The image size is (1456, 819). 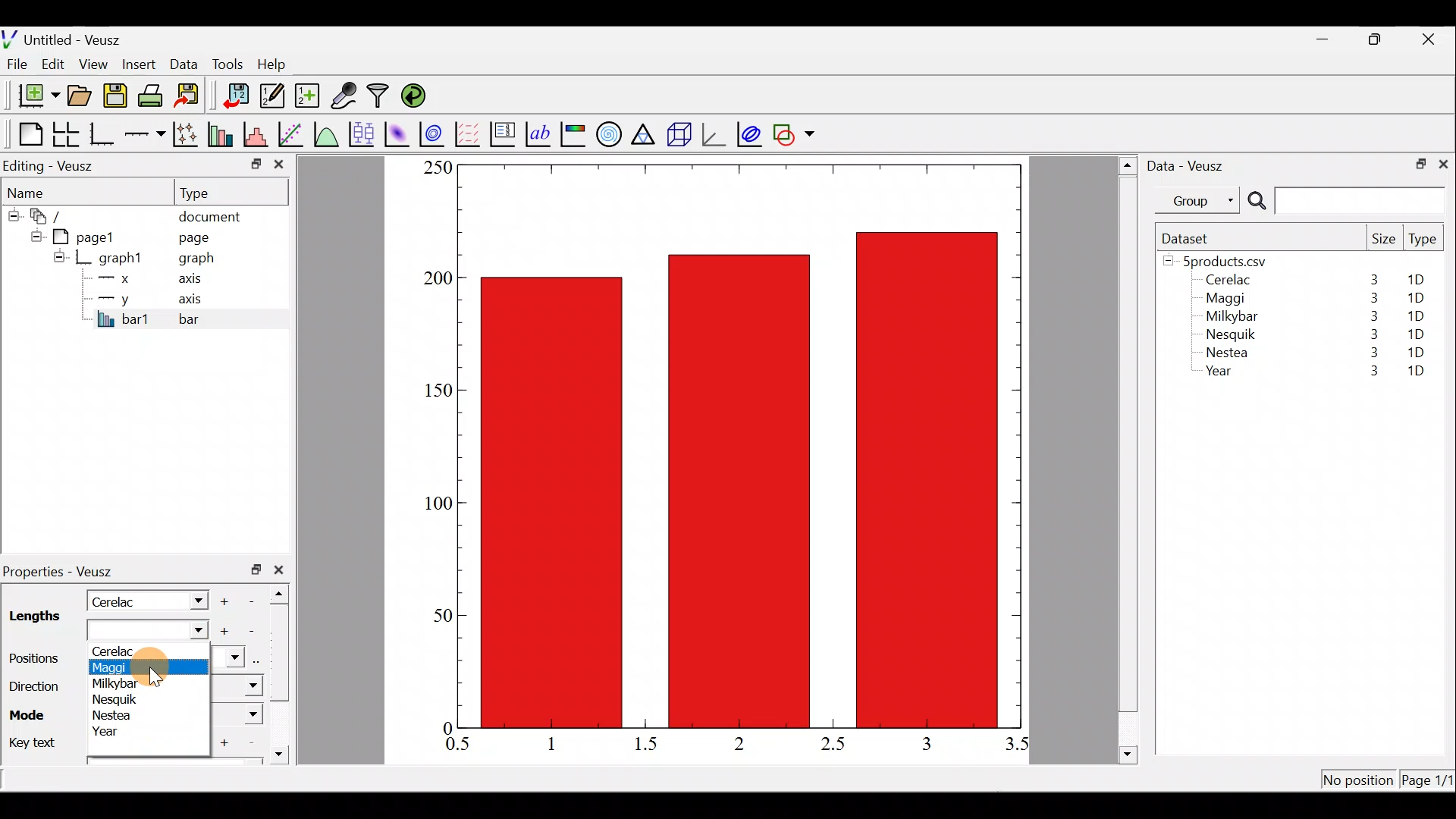 What do you see at coordinates (458, 746) in the screenshot?
I see `0.5` at bounding box center [458, 746].